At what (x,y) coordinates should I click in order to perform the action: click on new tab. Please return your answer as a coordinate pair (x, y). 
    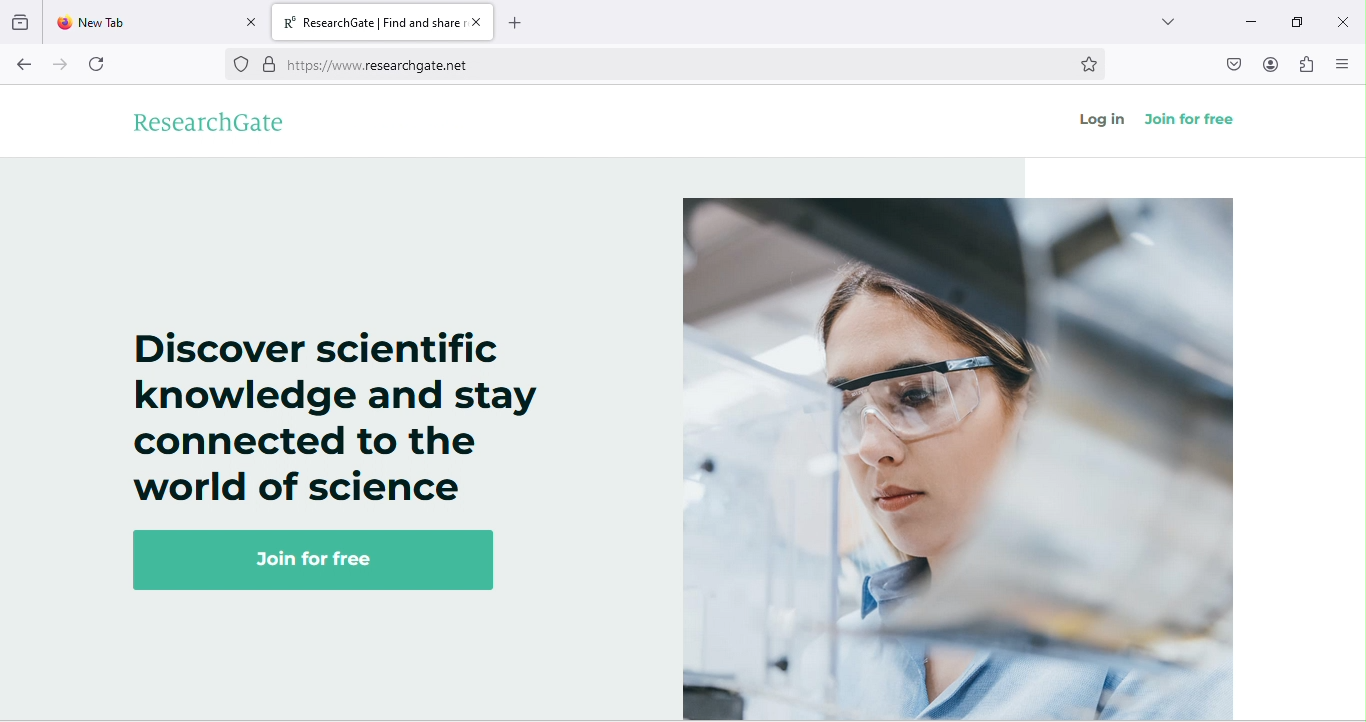
    Looking at the image, I should click on (155, 24).